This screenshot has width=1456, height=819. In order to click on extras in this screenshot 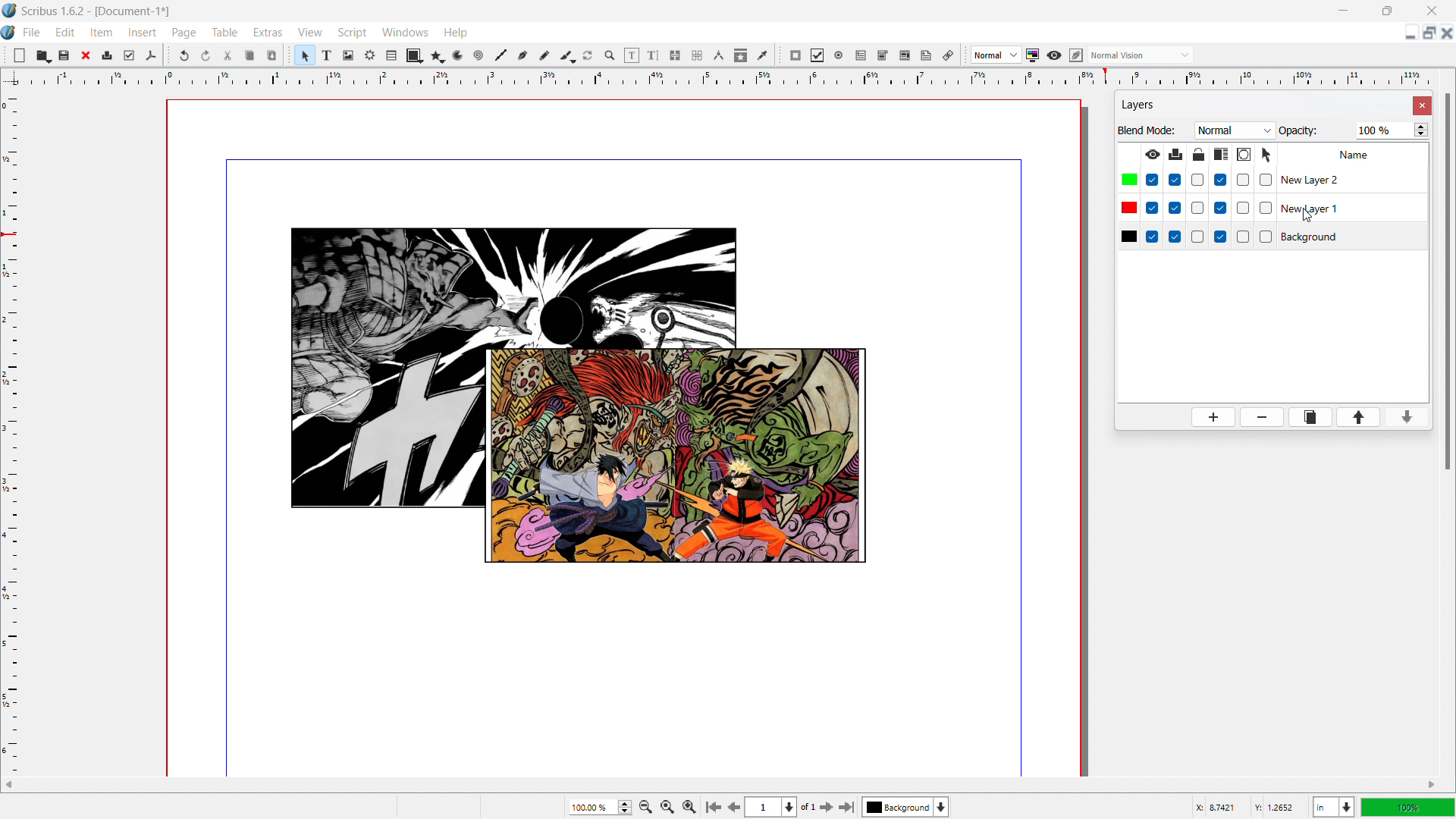, I will do `click(268, 32)`.